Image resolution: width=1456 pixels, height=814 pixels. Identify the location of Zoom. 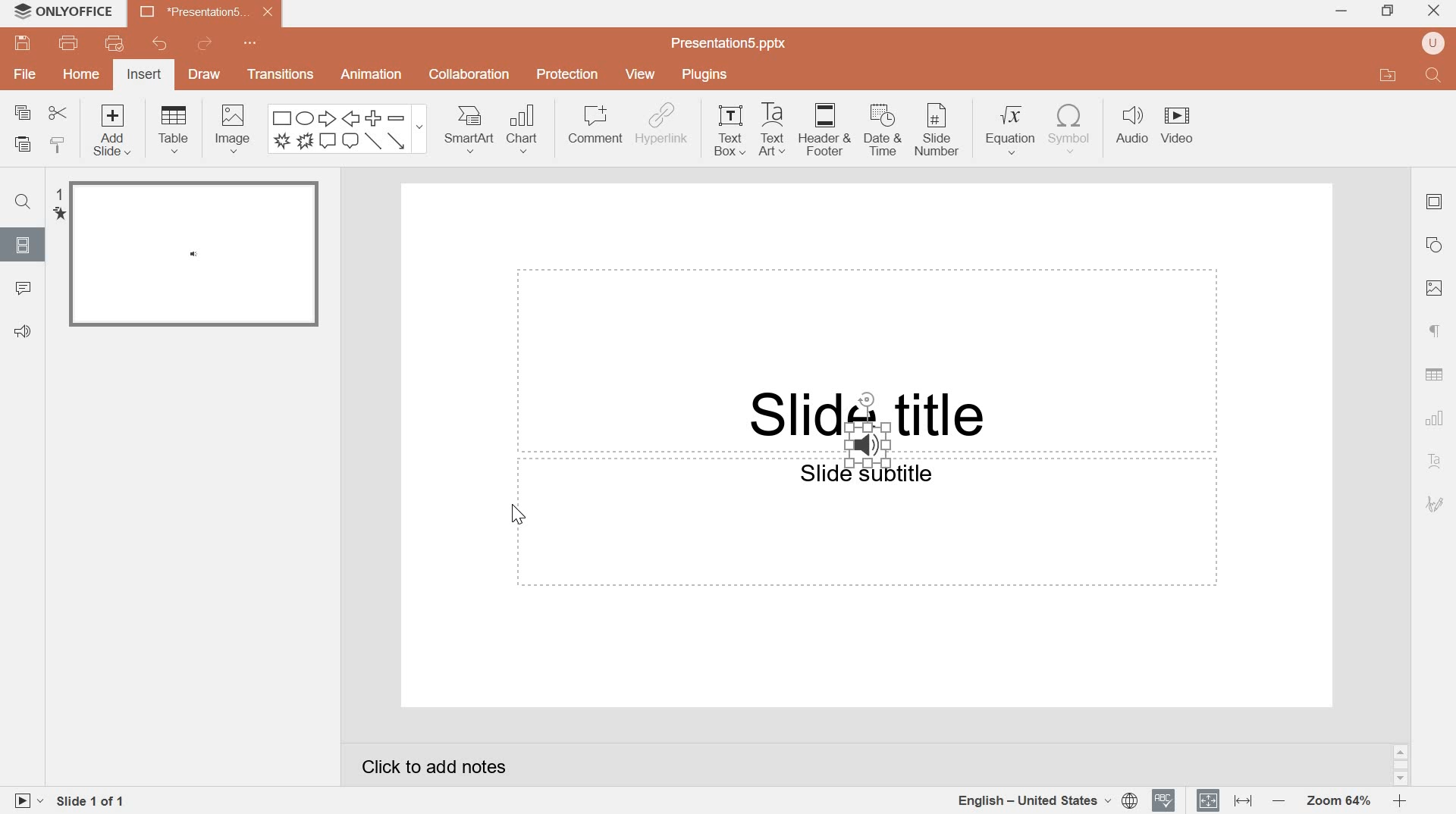
(1337, 802).